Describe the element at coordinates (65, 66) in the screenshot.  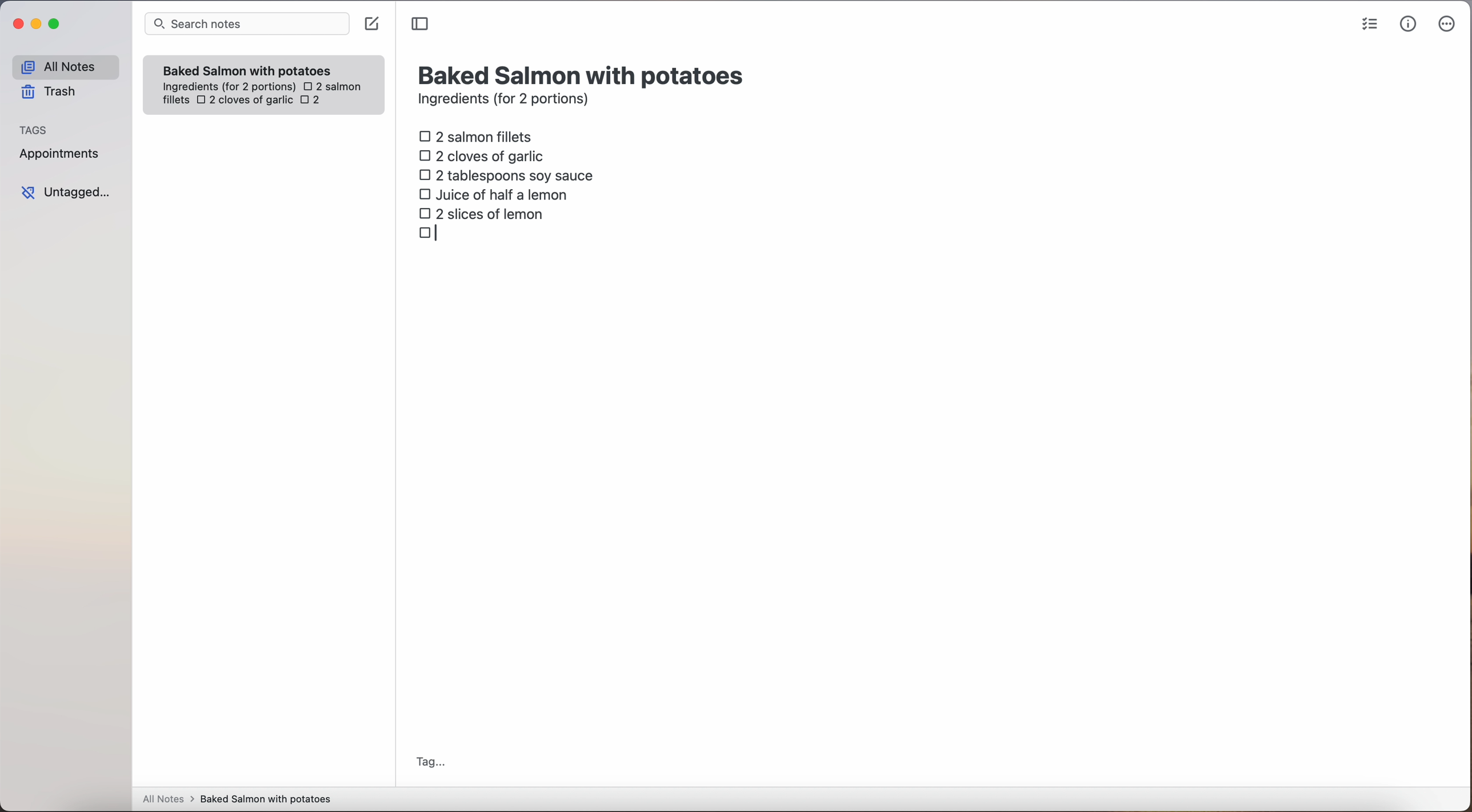
I see `all notes` at that location.